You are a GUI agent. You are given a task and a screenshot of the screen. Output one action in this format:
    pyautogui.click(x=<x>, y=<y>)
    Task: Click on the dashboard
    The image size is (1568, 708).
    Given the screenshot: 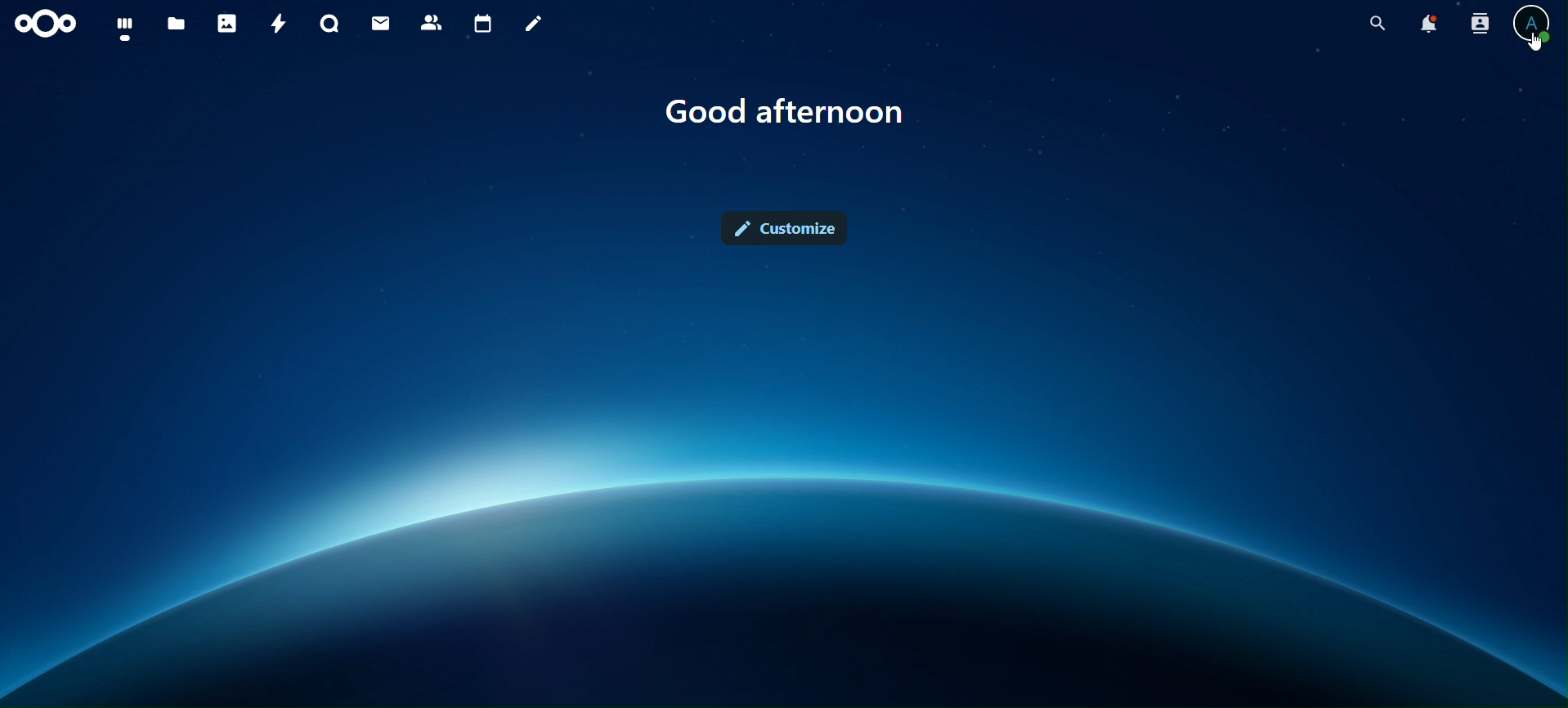 What is the action you would take?
    pyautogui.click(x=124, y=27)
    